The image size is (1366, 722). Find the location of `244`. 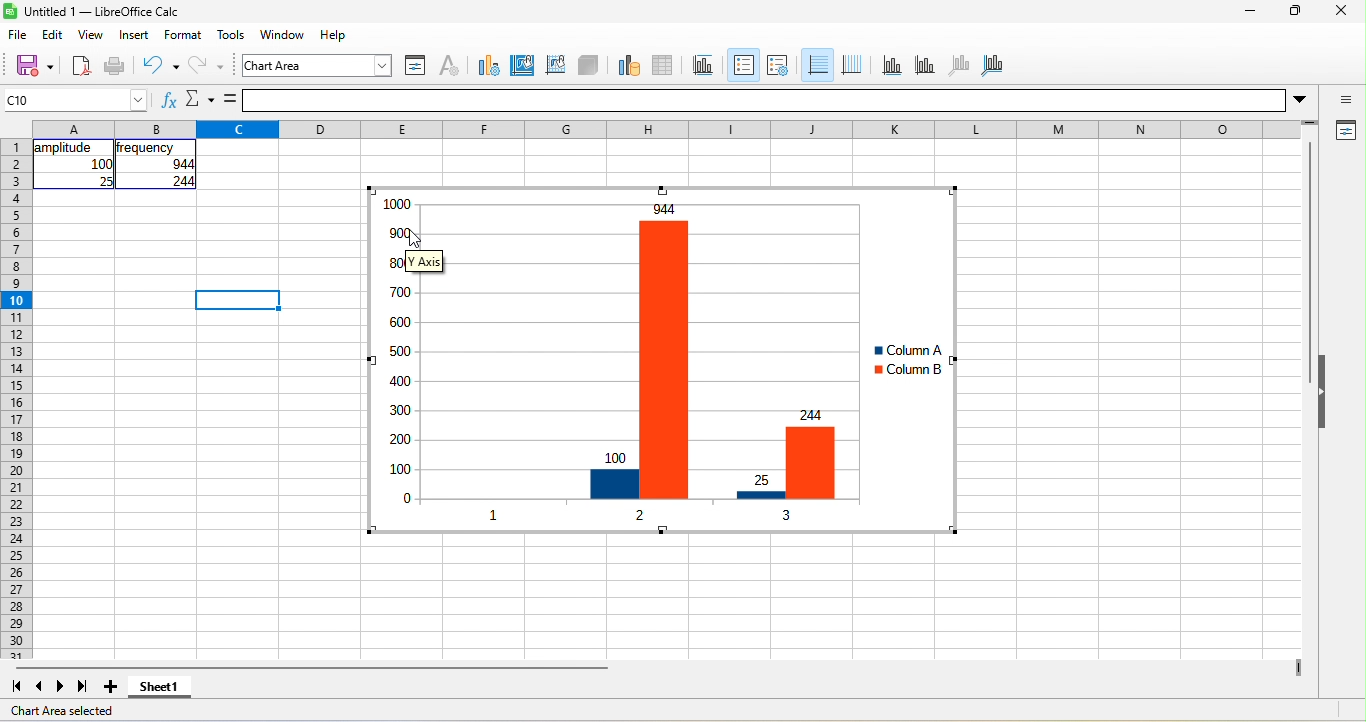

244 is located at coordinates (180, 182).